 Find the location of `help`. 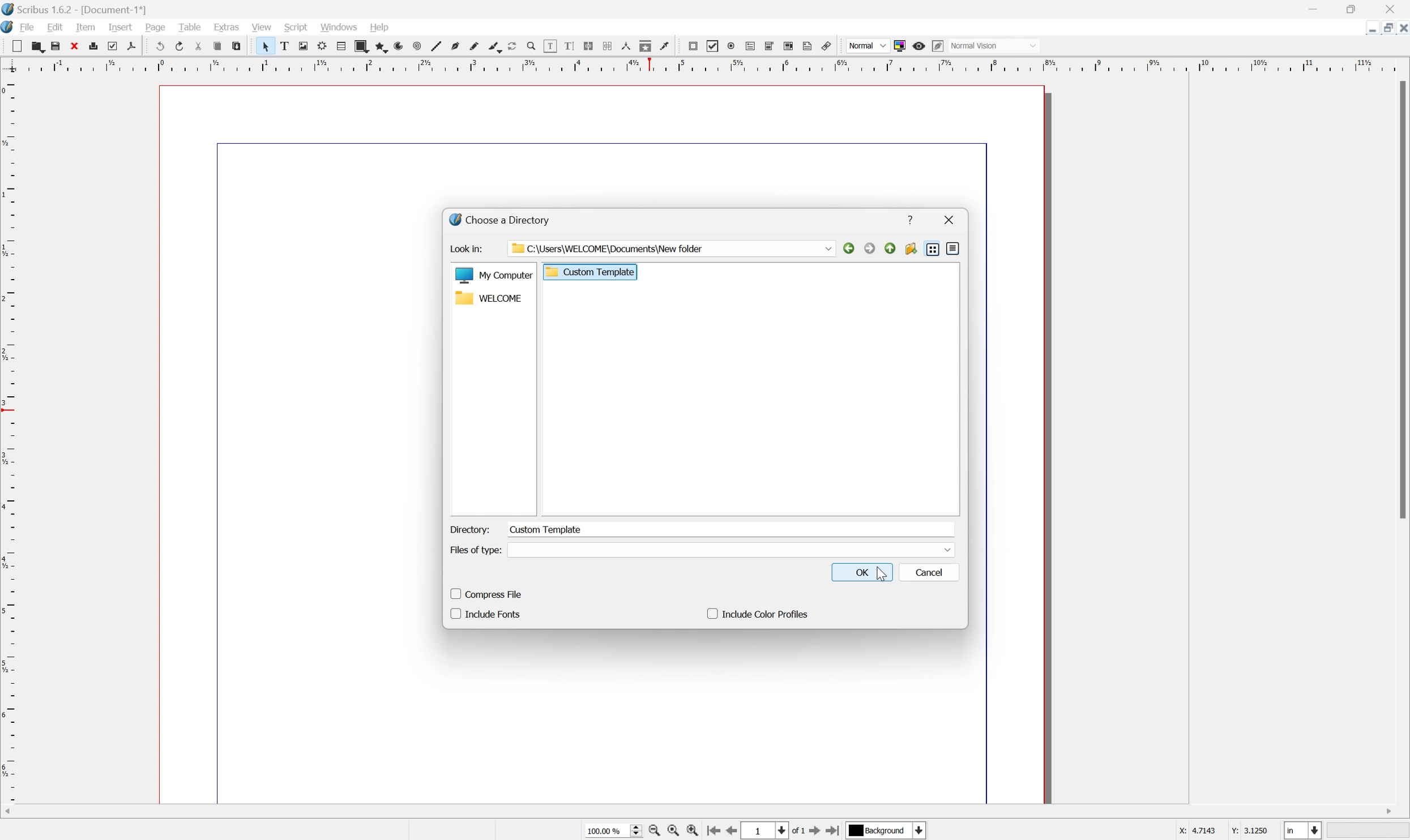

help is located at coordinates (383, 27).